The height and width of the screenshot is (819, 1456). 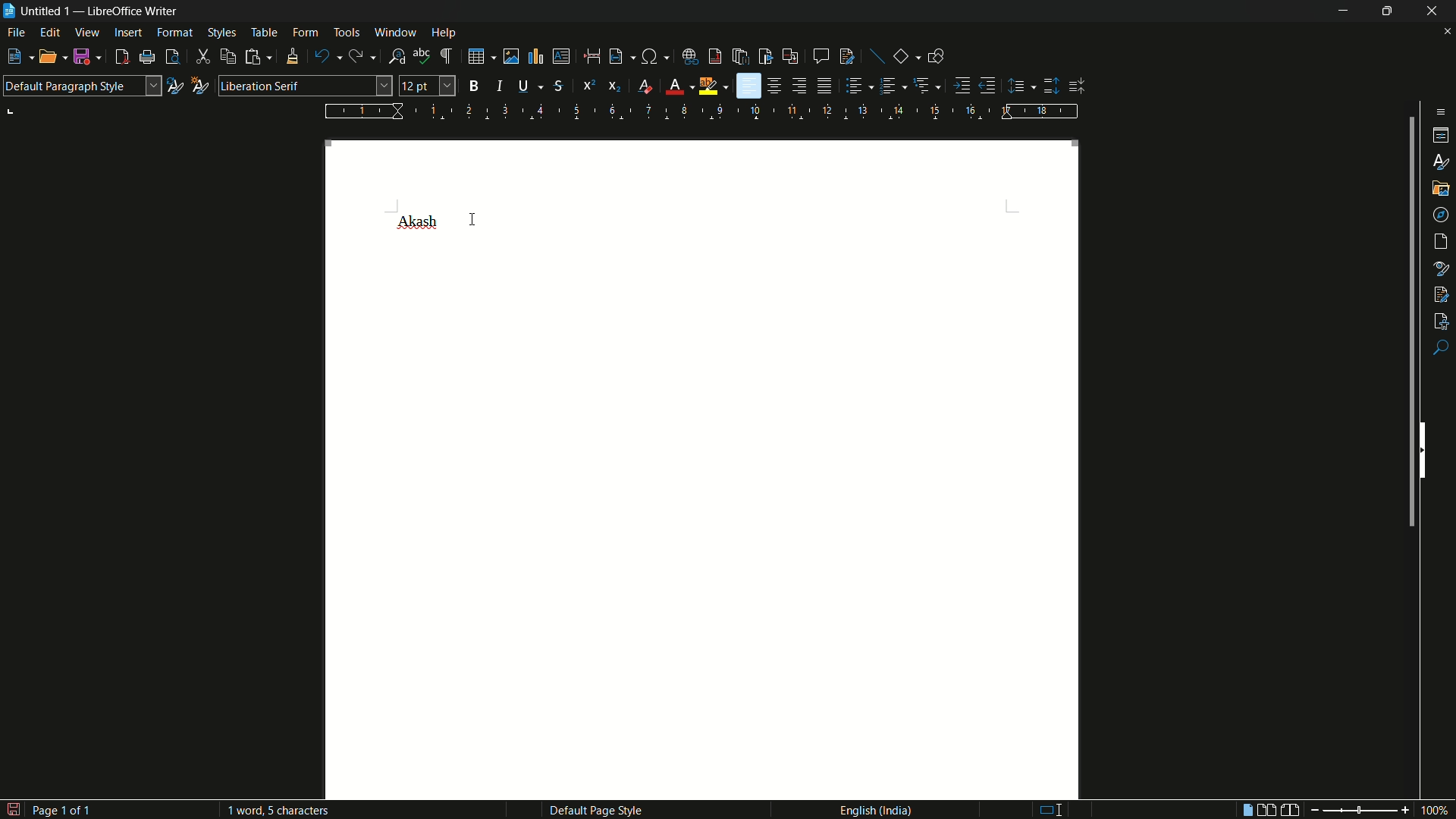 I want to click on styles, so click(x=1442, y=161).